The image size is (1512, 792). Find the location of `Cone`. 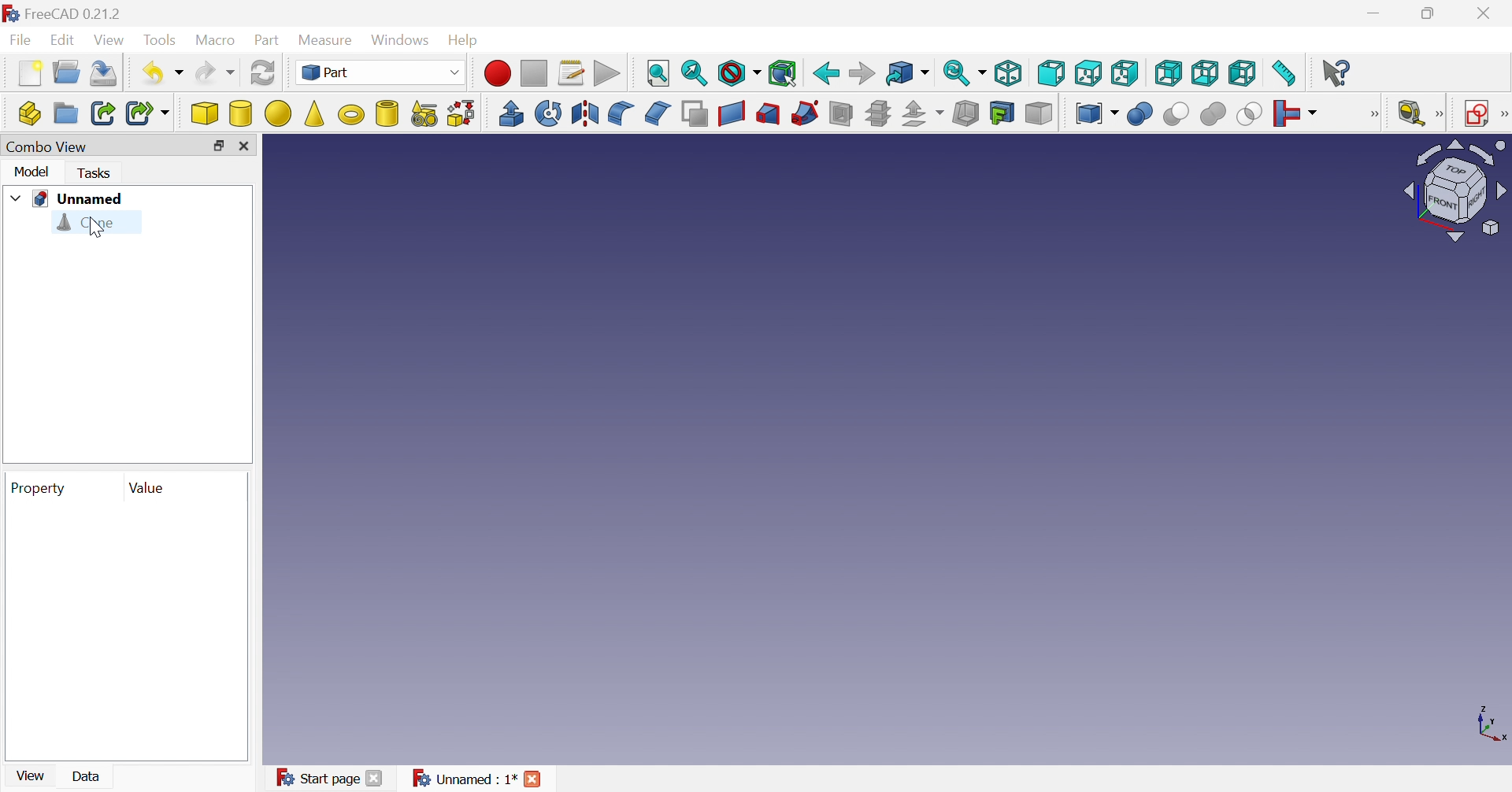

Cone is located at coordinates (313, 113).